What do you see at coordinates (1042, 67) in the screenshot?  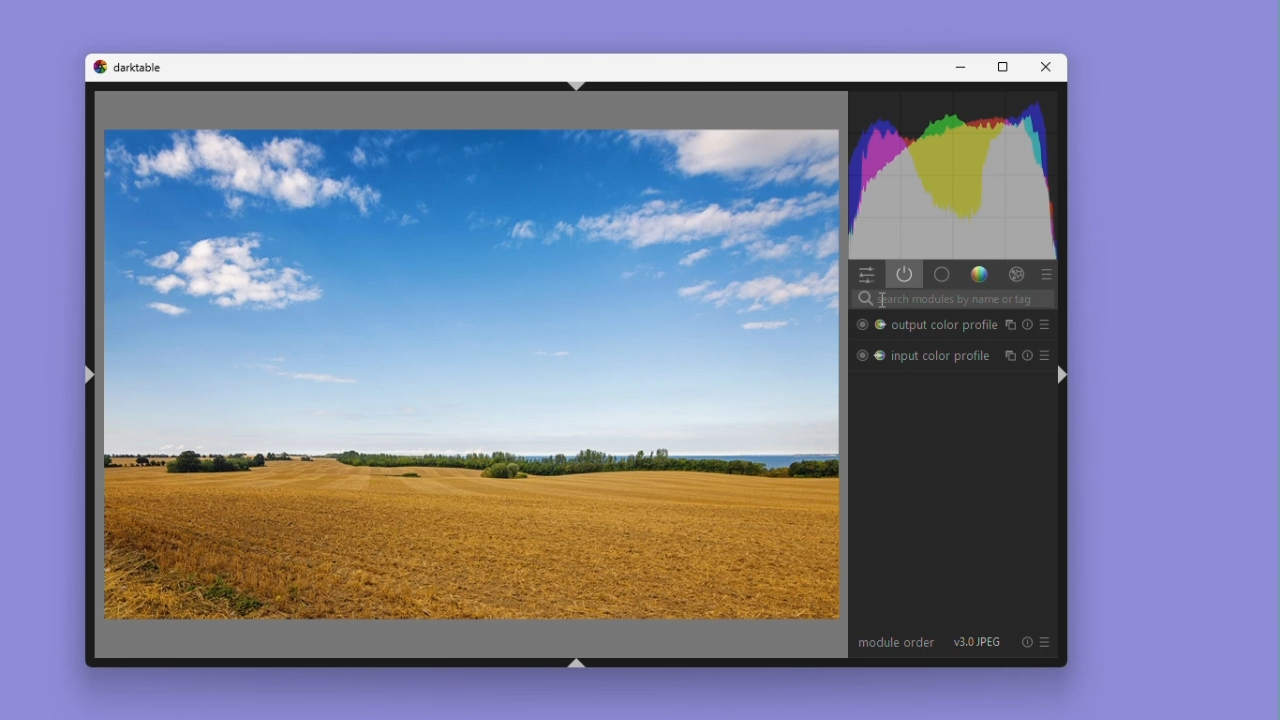 I see `Close` at bounding box center [1042, 67].